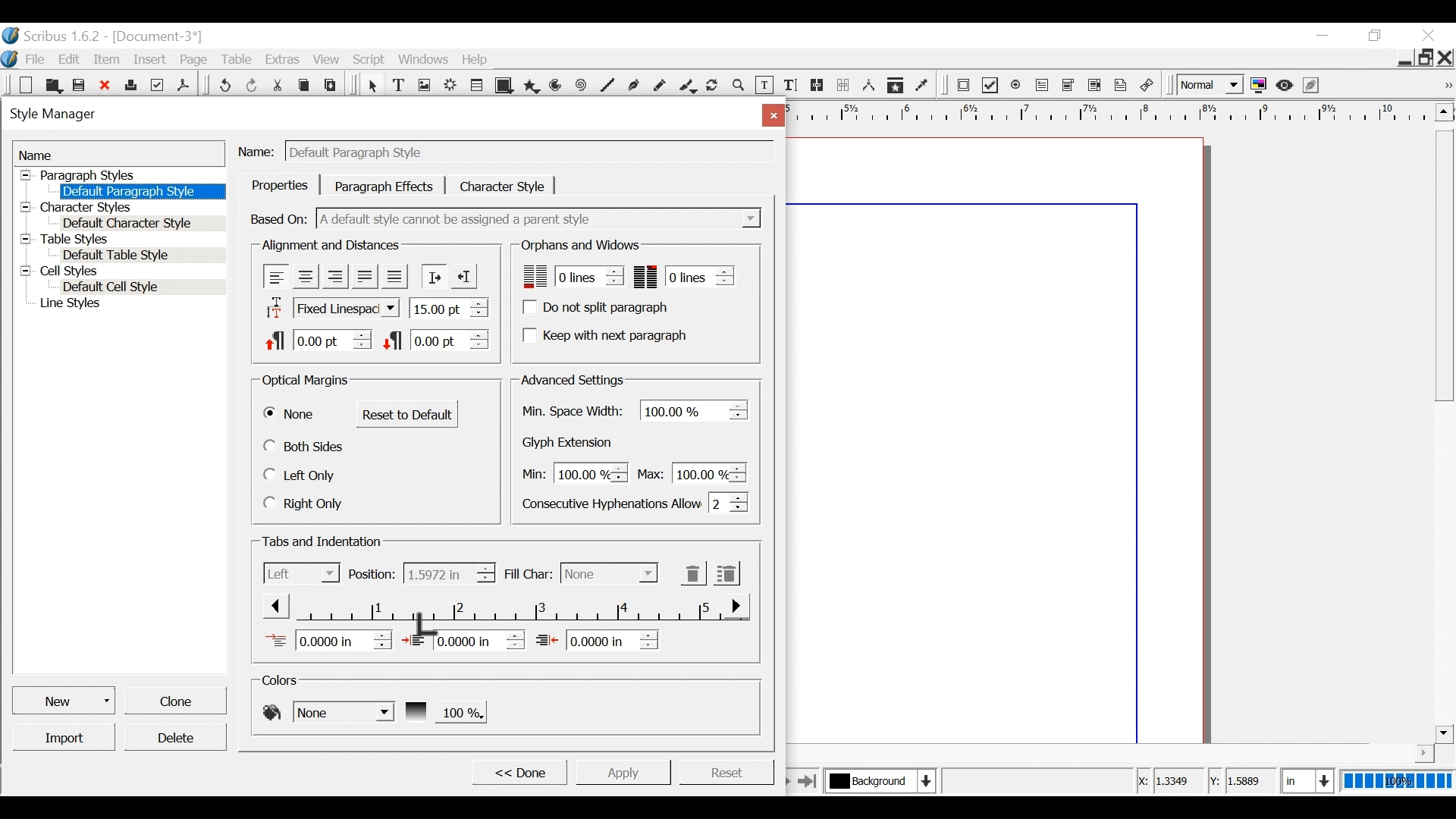  Describe the element at coordinates (529, 152) in the screenshot. I see `Field` at that location.